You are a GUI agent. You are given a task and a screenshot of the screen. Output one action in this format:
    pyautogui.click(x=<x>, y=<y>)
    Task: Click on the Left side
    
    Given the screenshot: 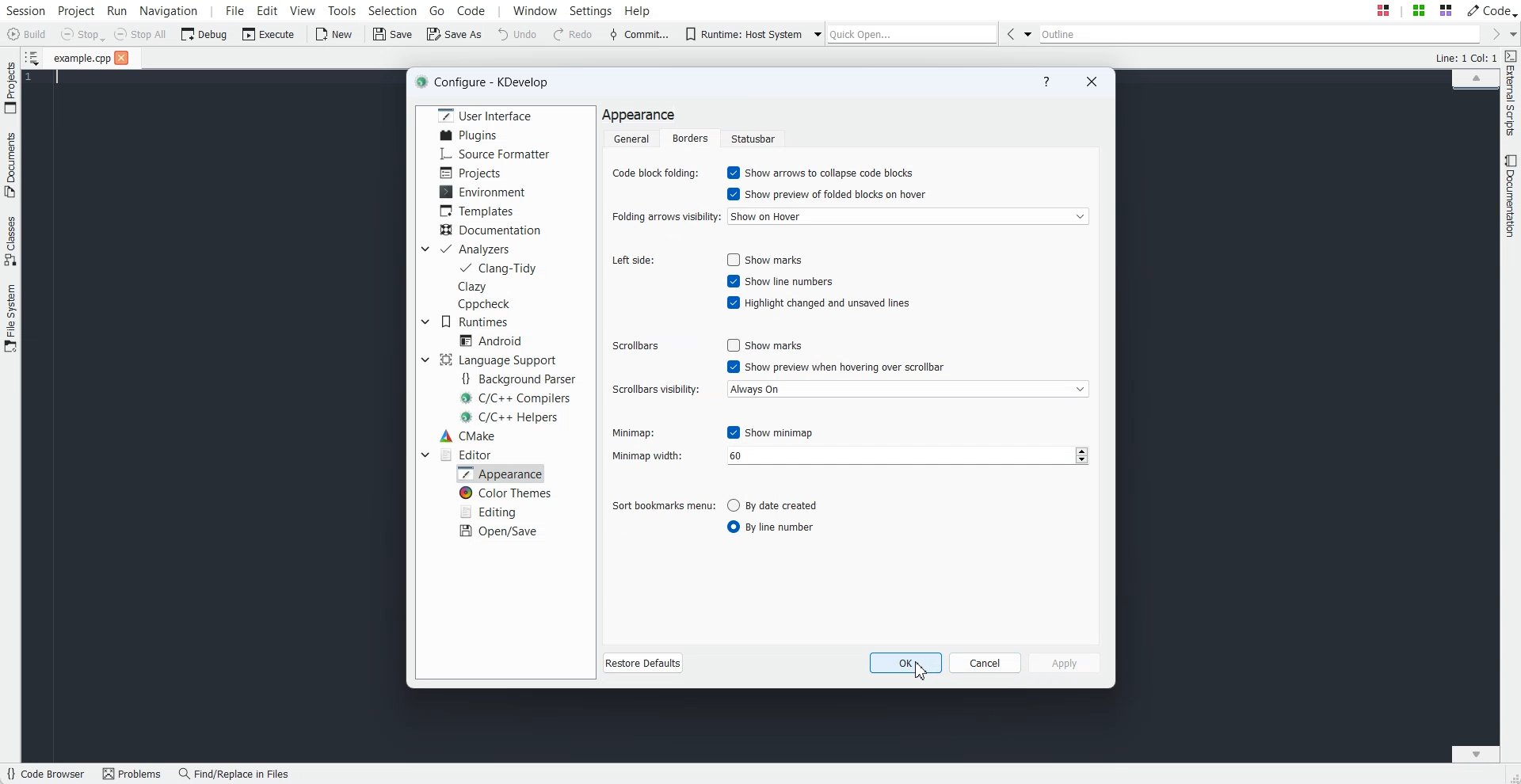 What is the action you would take?
    pyautogui.click(x=634, y=261)
    